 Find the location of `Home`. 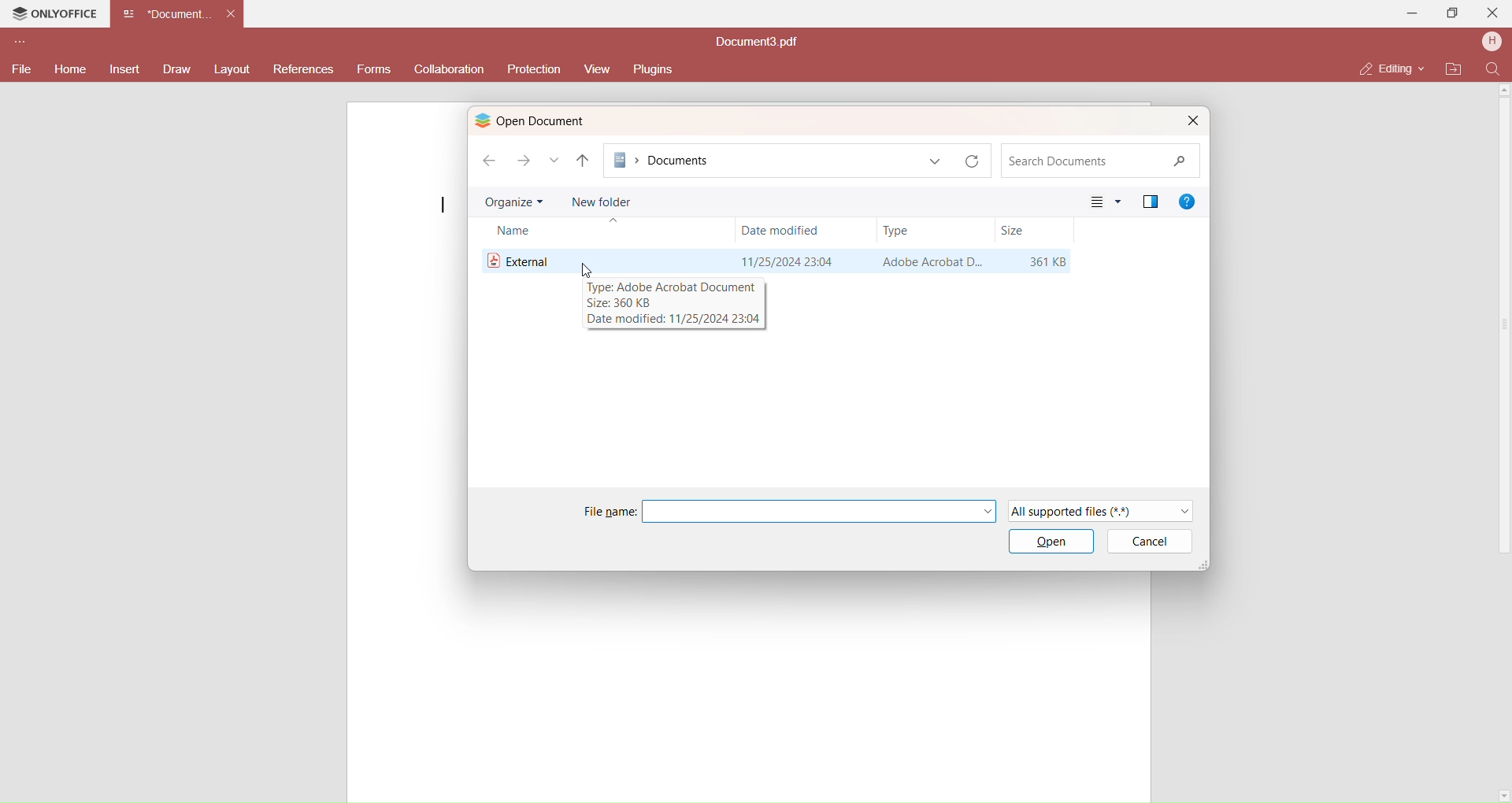

Home is located at coordinates (69, 69).